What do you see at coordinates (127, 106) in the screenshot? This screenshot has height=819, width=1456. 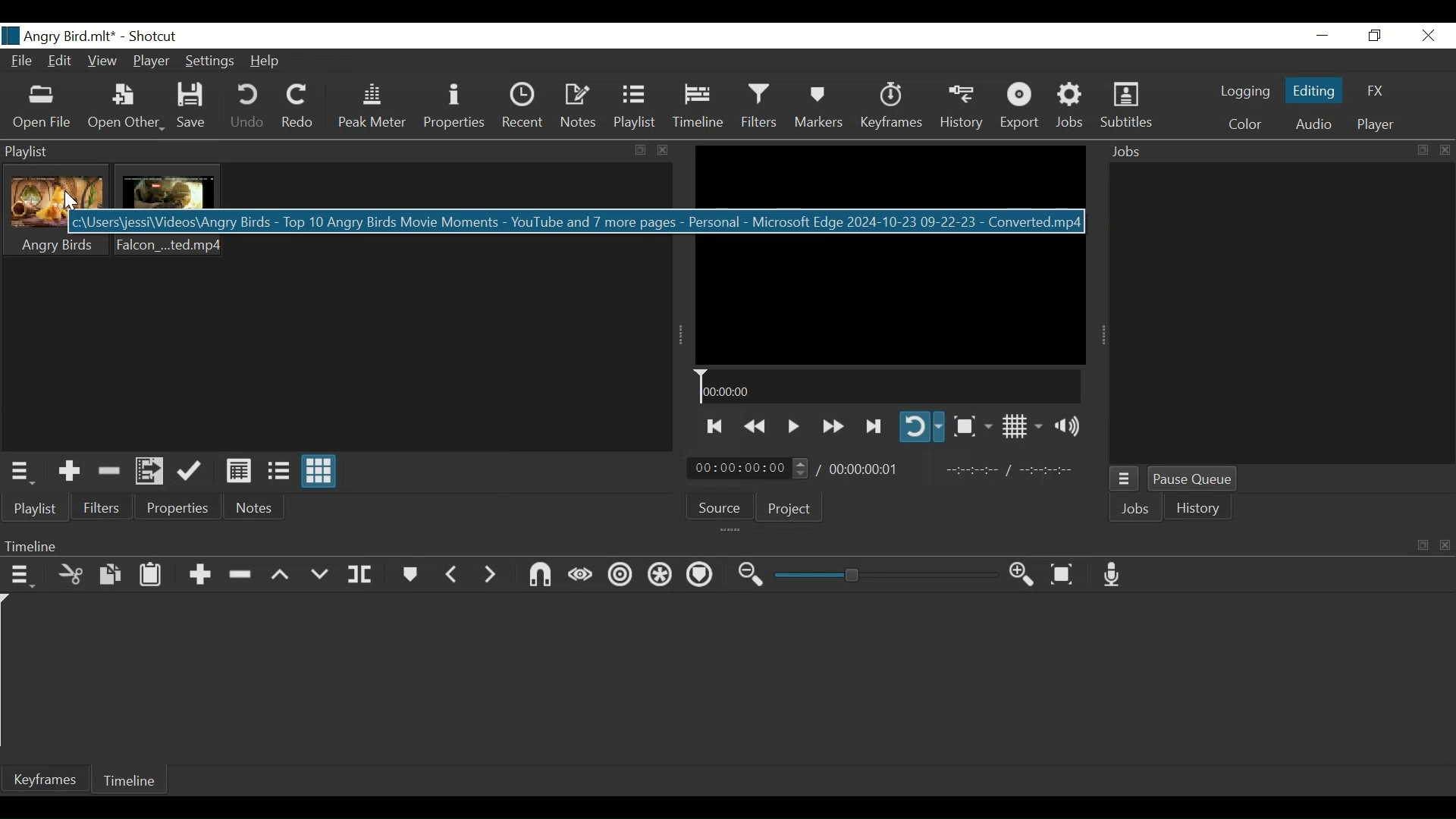 I see `Open Other` at bounding box center [127, 106].